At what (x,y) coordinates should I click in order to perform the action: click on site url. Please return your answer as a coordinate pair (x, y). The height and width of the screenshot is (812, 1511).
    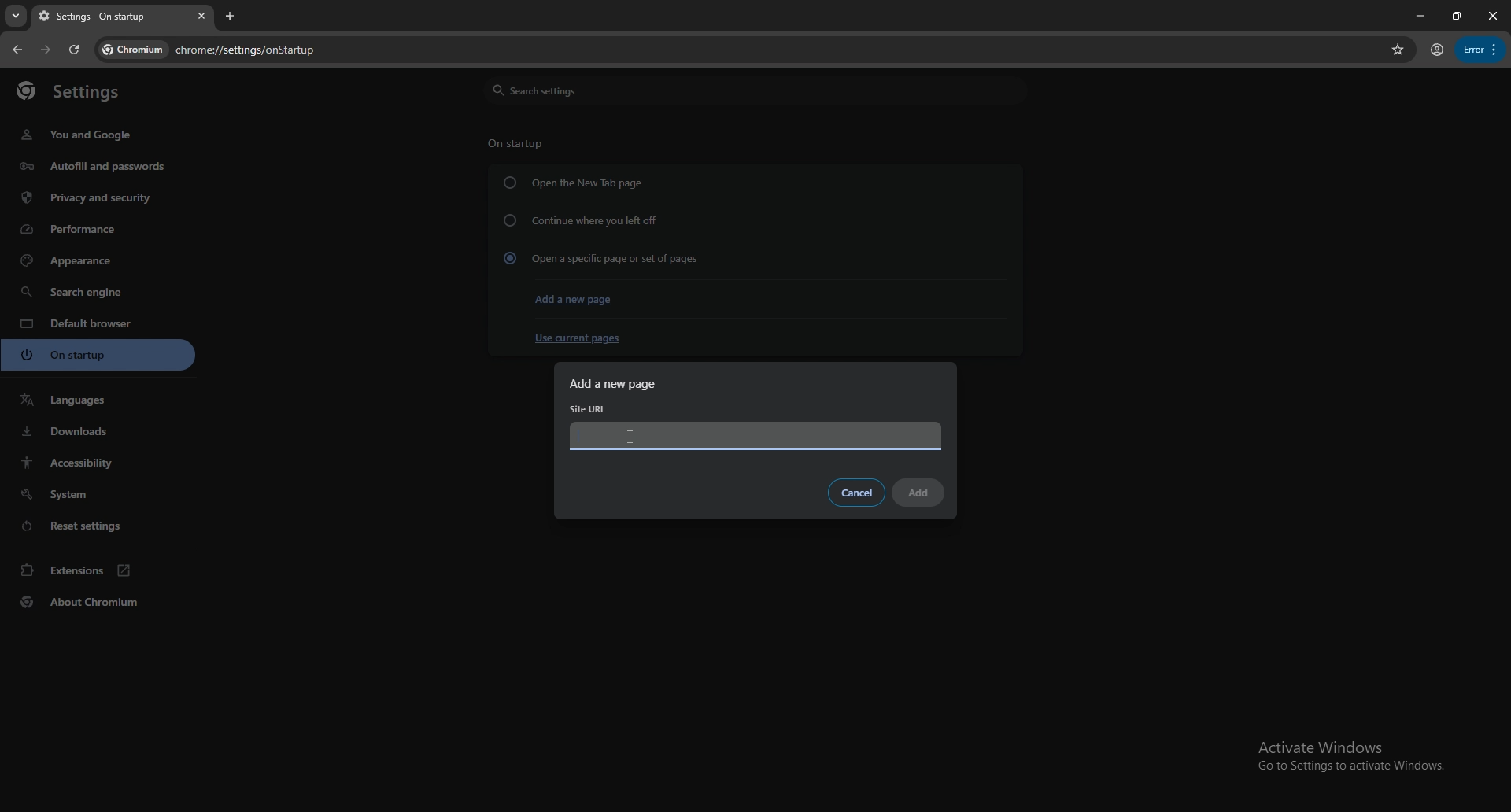
    Looking at the image, I should click on (590, 409).